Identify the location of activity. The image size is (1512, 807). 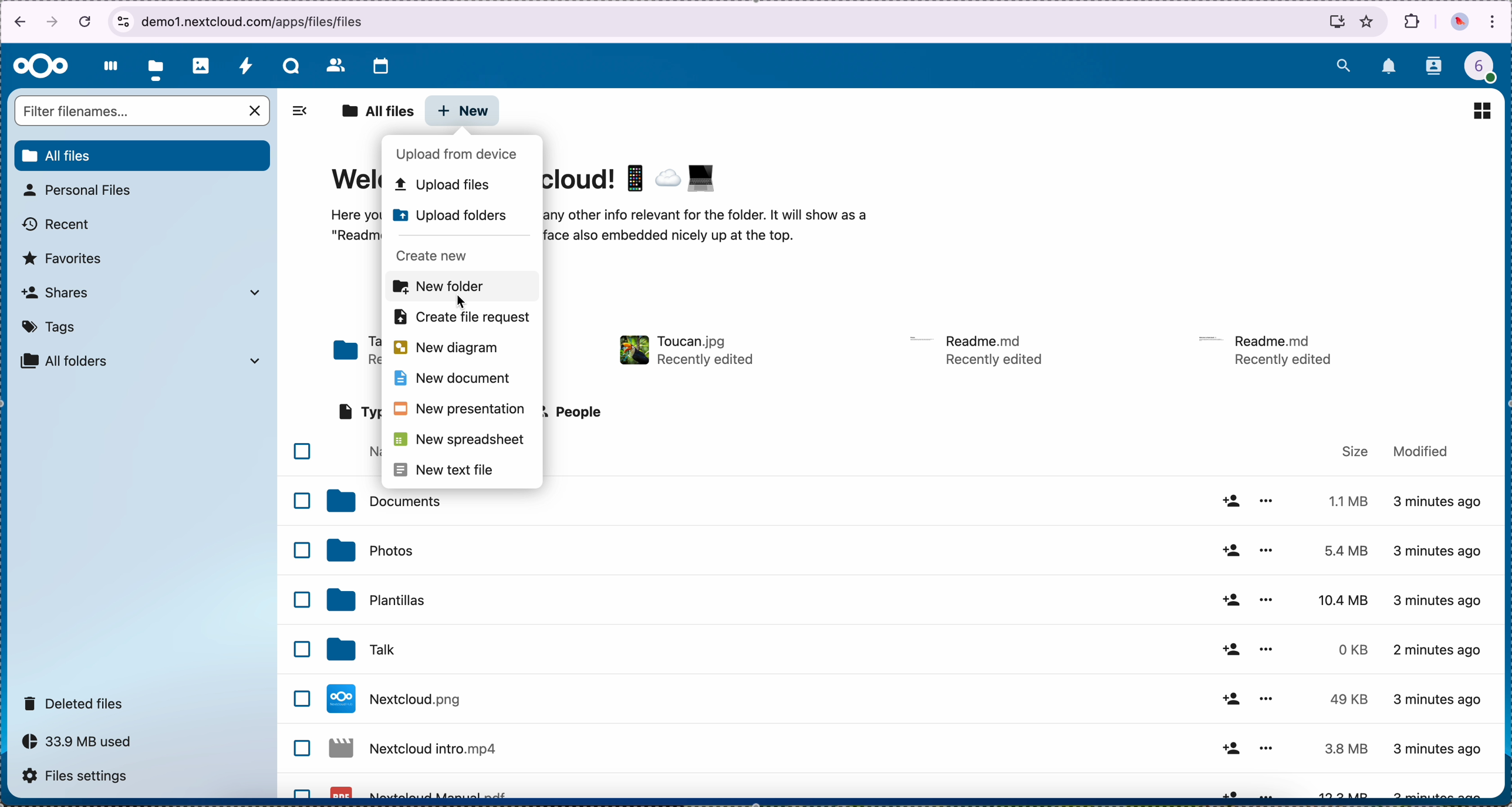
(245, 65).